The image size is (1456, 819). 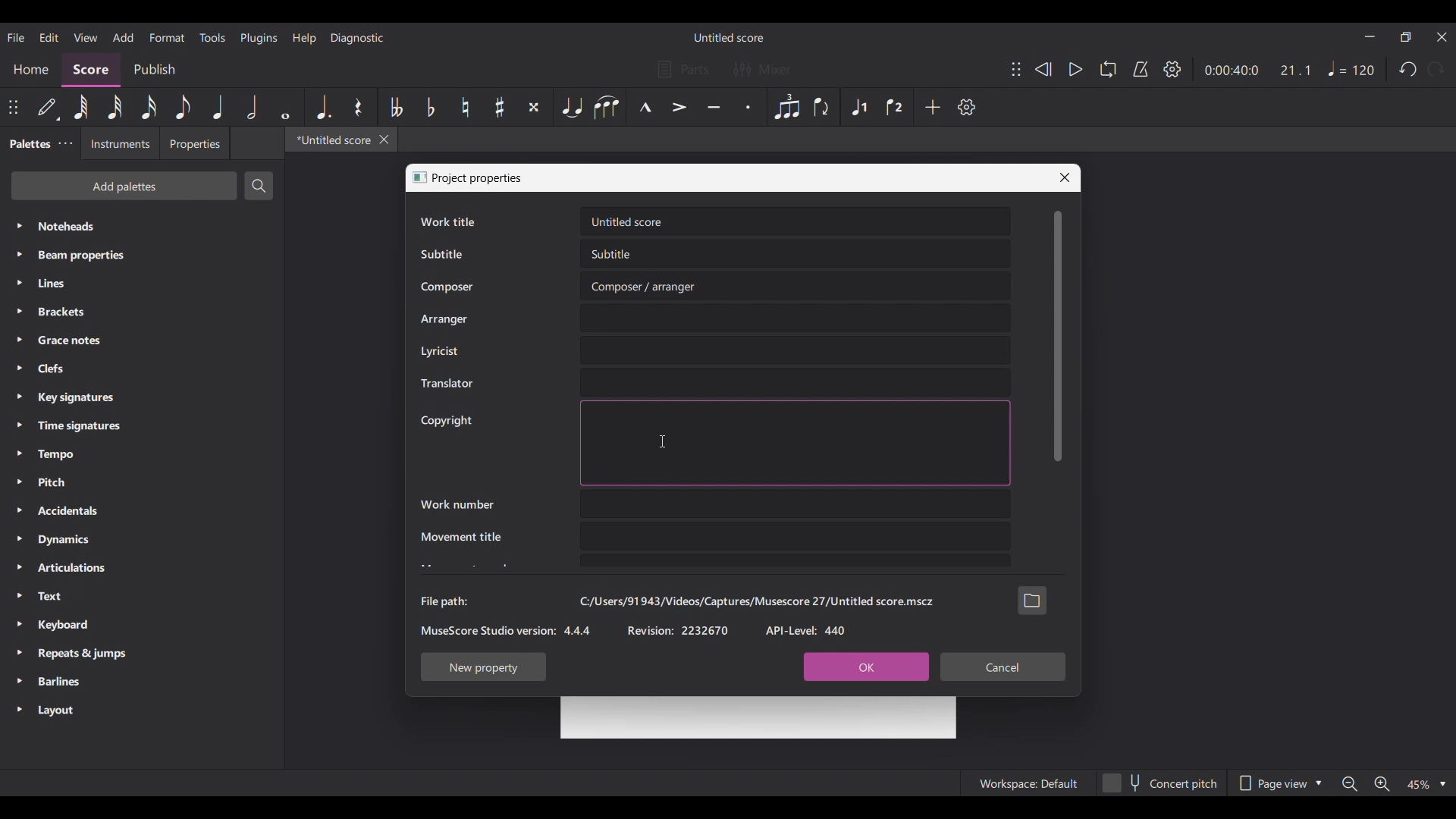 What do you see at coordinates (357, 38) in the screenshot?
I see `Diagnostic menu` at bounding box center [357, 38].